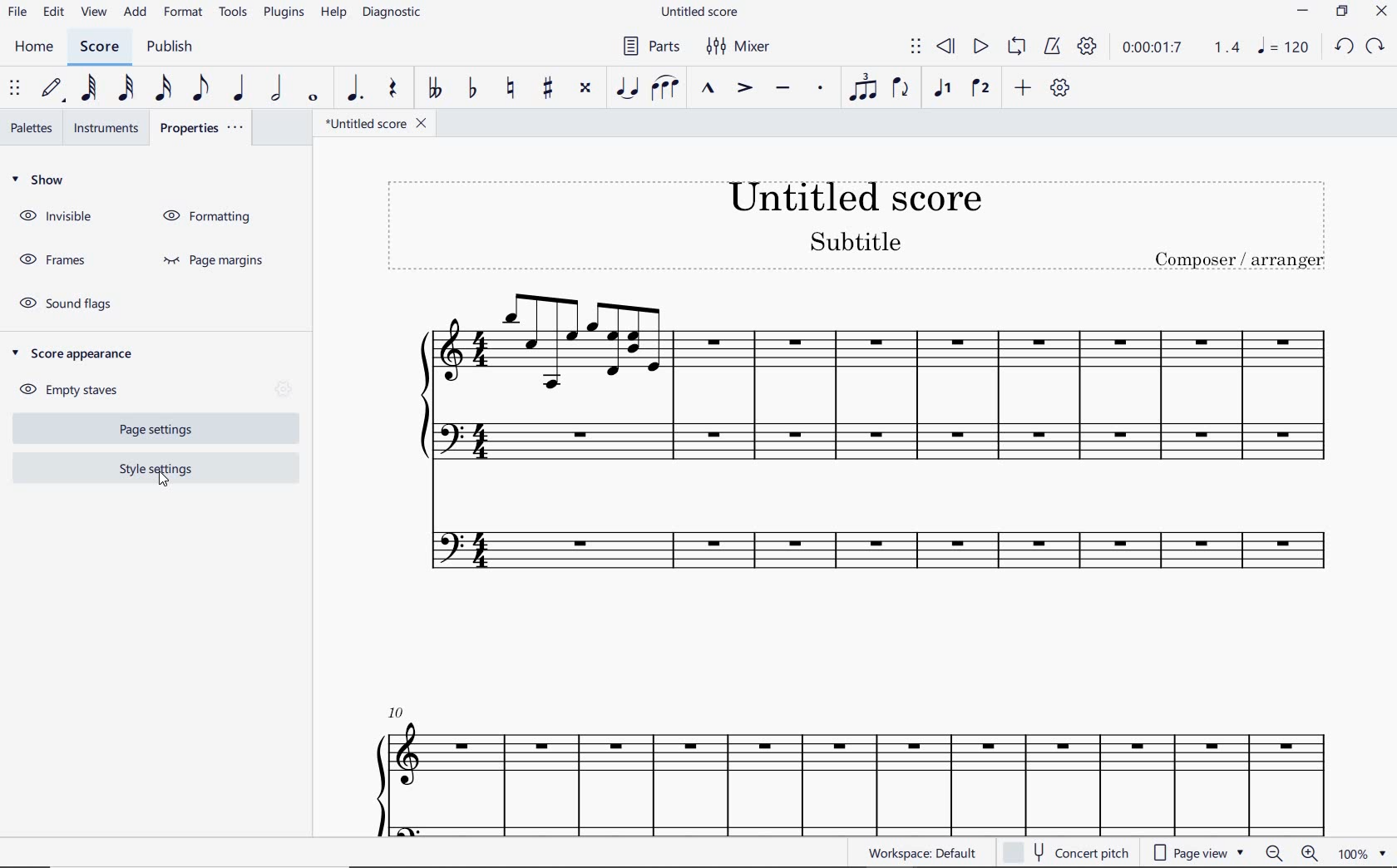 The width and height of the screenshot is (1397, 868). I want to click on MINIMIZE, so click(1302, 11).